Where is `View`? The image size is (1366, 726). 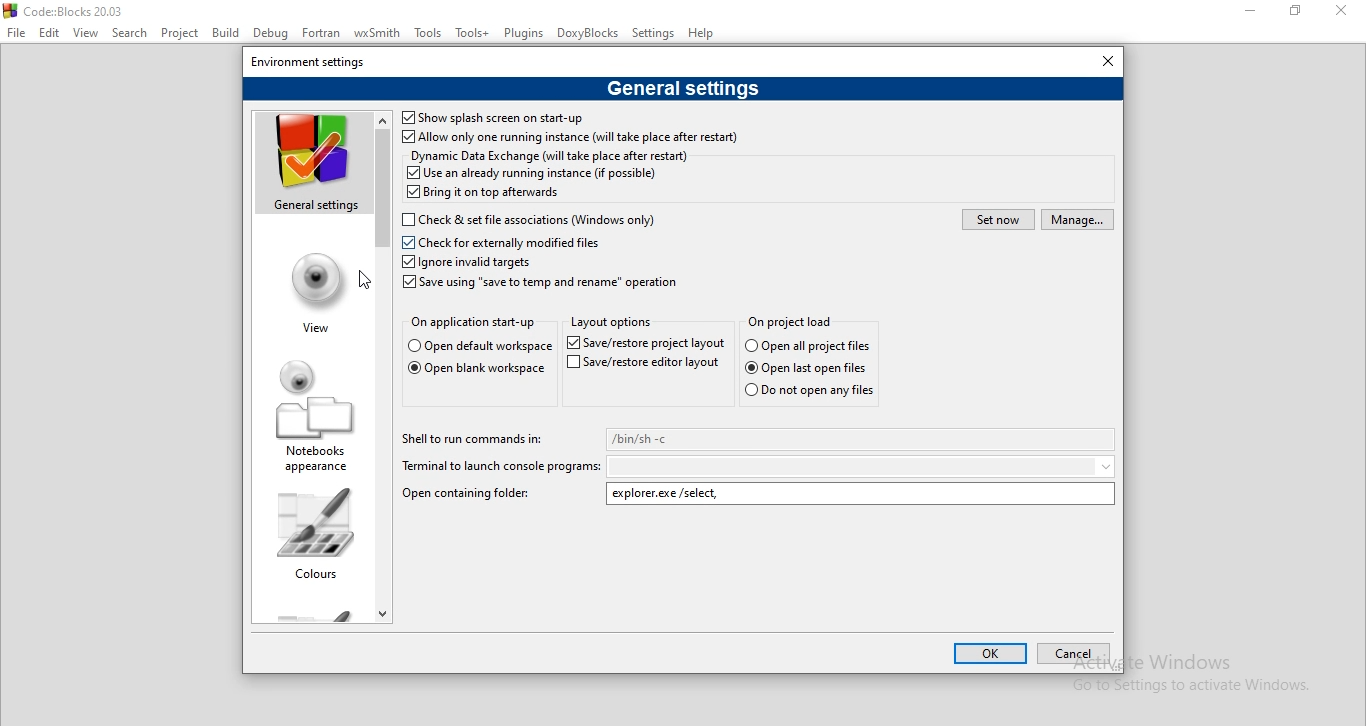 View is located at coordinates (86, 34).